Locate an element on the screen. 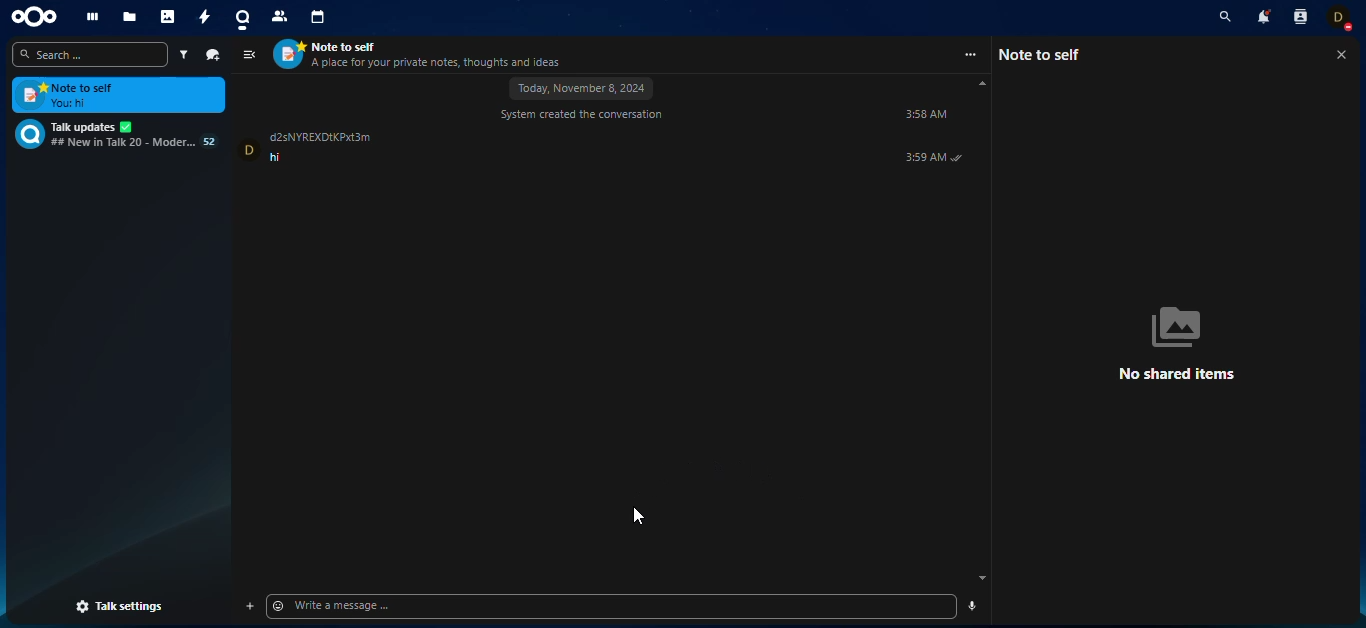  november 8, 2024 is located at coordinates (582, 89).